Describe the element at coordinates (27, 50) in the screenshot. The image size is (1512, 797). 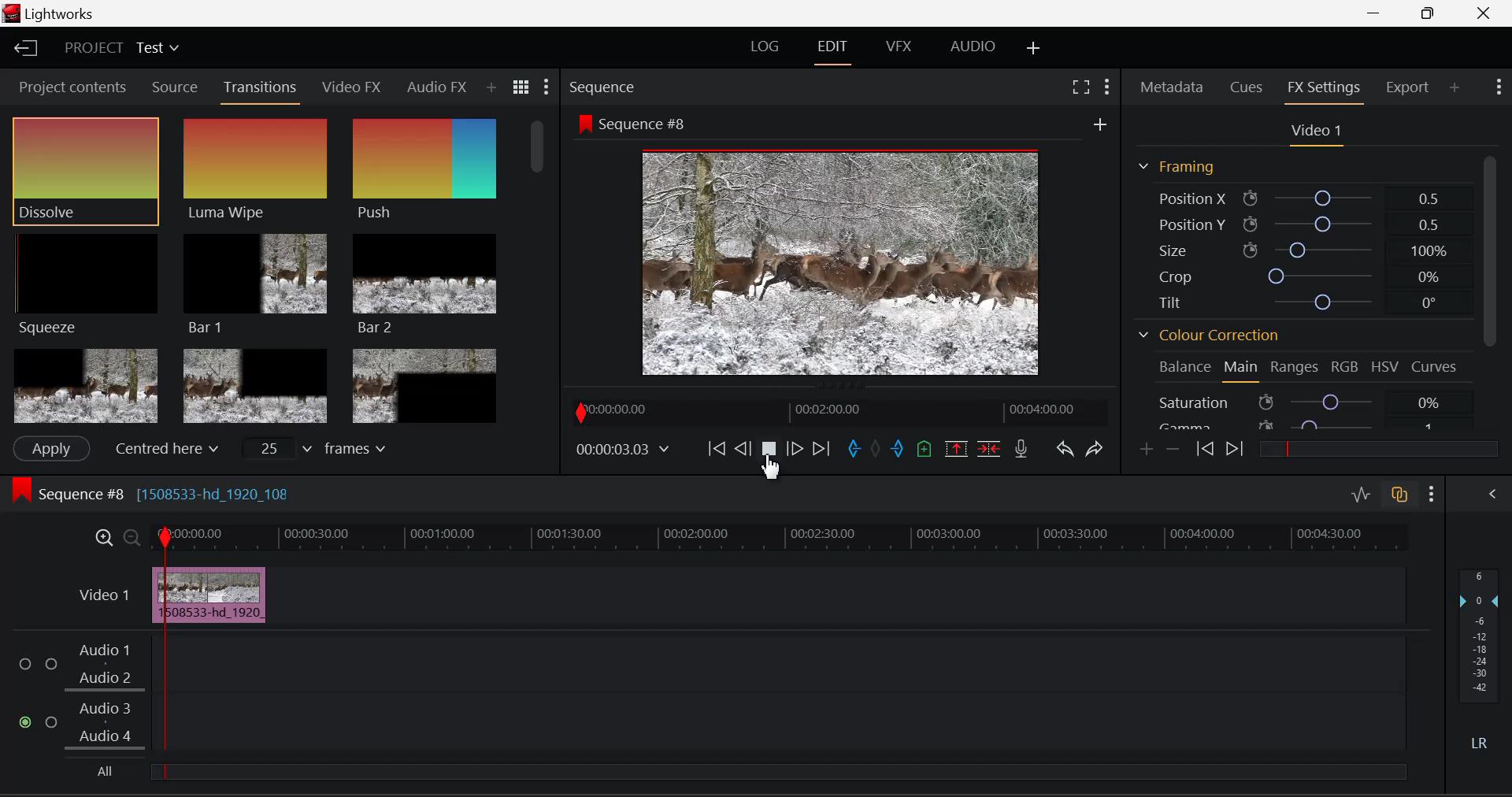
I see `Go to Homepage` at that location.